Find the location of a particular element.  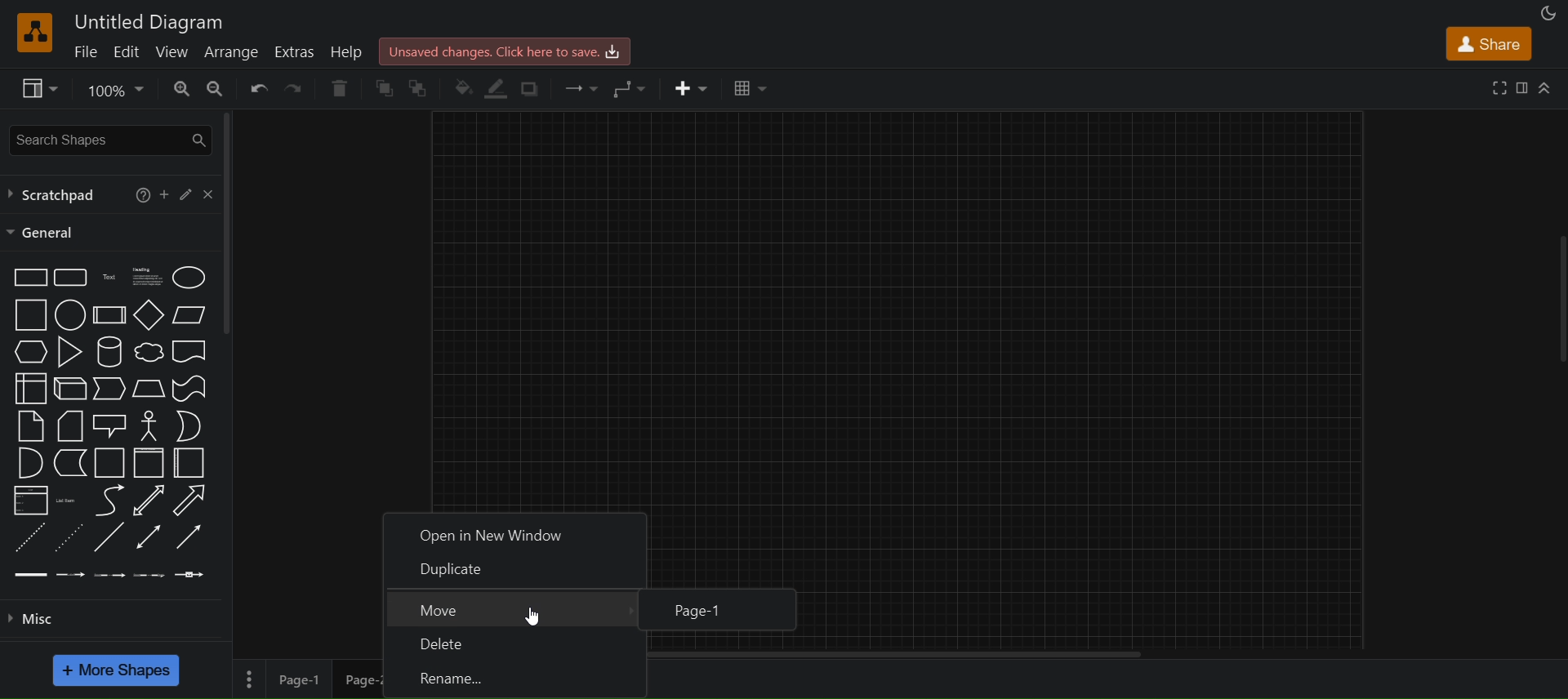

table is located at coordinates (750, 86).